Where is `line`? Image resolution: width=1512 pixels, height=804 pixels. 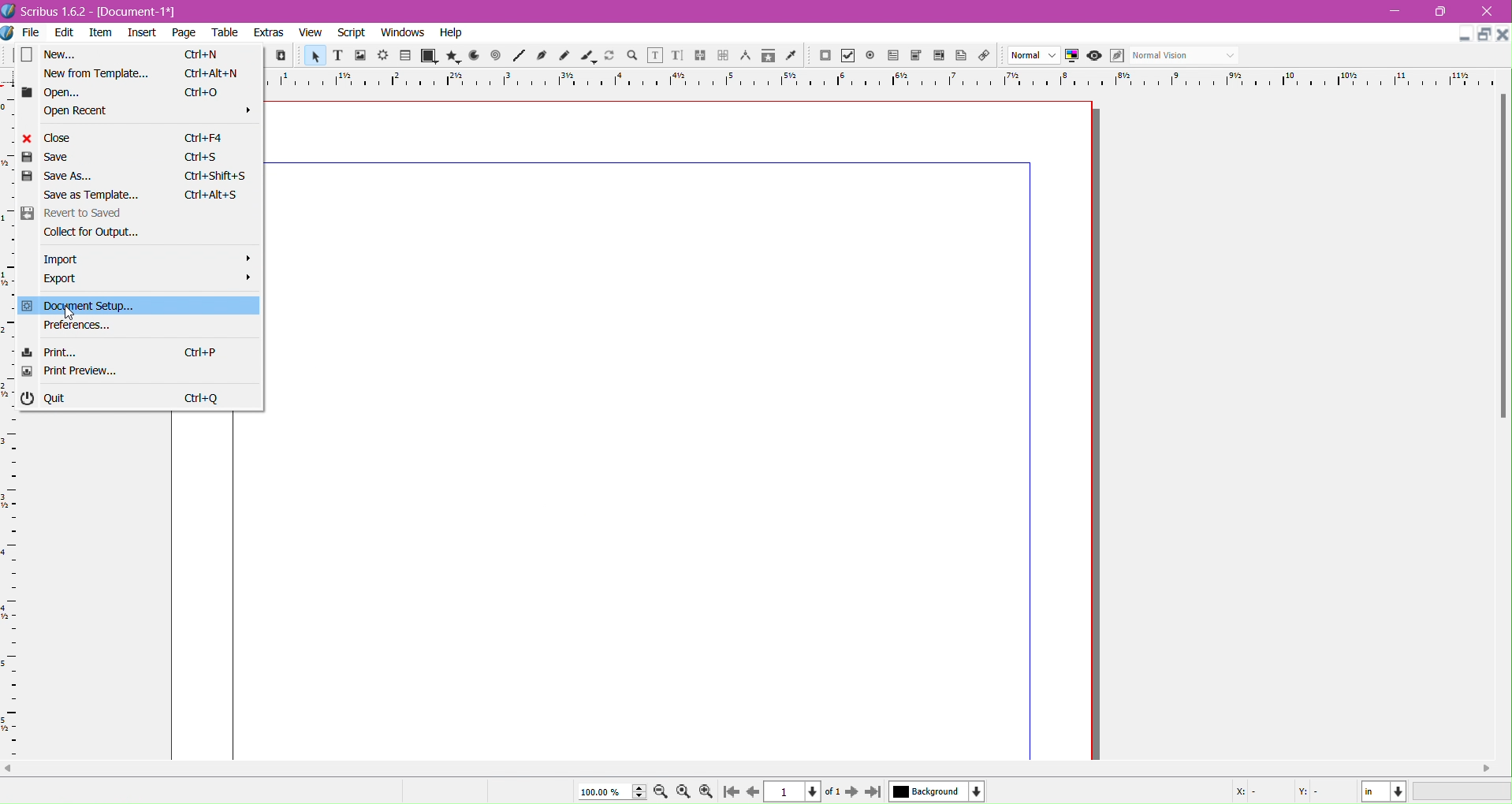
line is located at coordinates (519, 57).